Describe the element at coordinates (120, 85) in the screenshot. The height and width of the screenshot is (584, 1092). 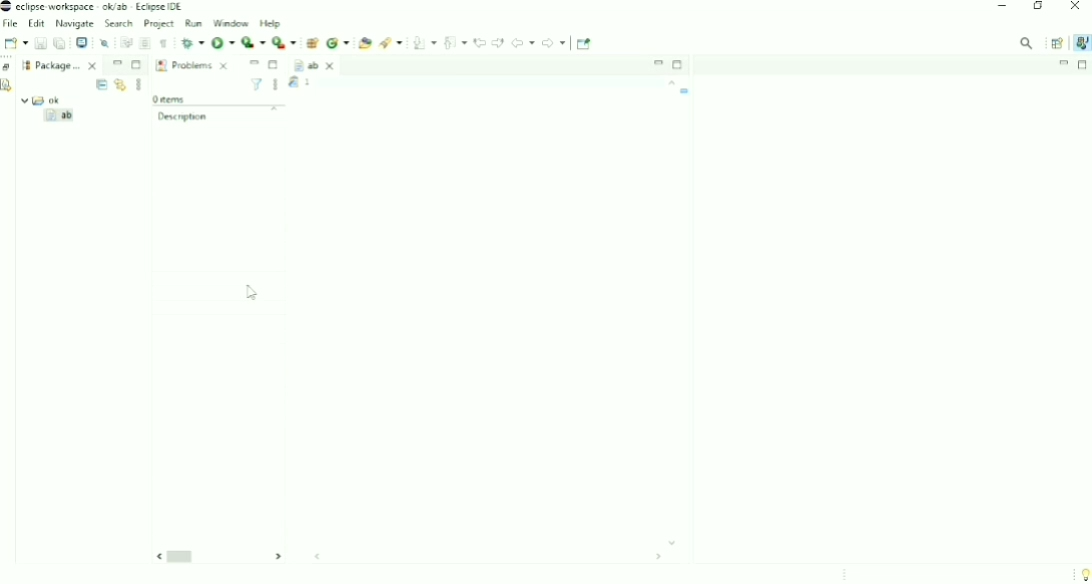
I see `Link with Editor` at that location.